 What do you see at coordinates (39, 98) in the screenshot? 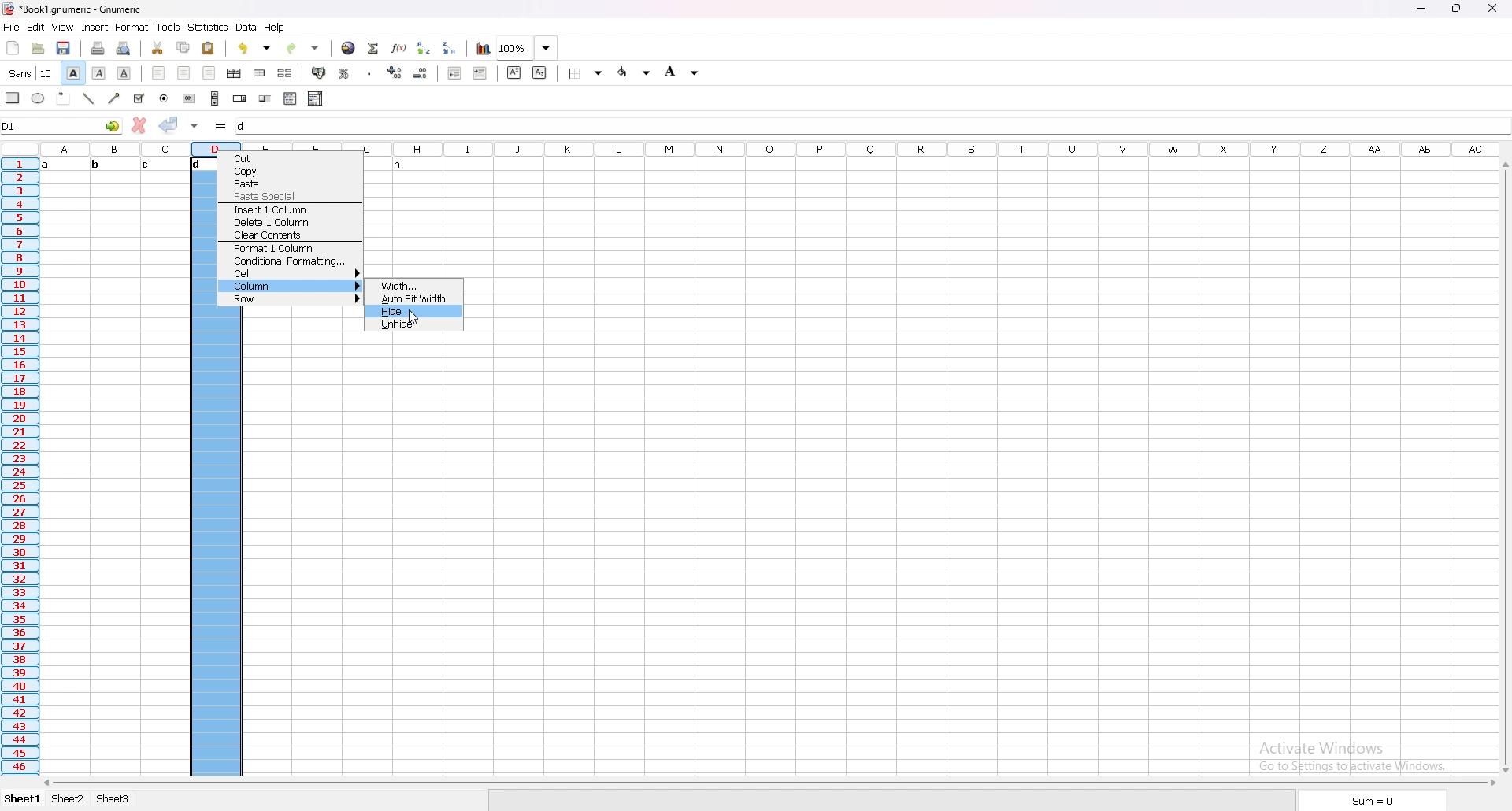
I see `ellipse` at bounding box center [39, 98].